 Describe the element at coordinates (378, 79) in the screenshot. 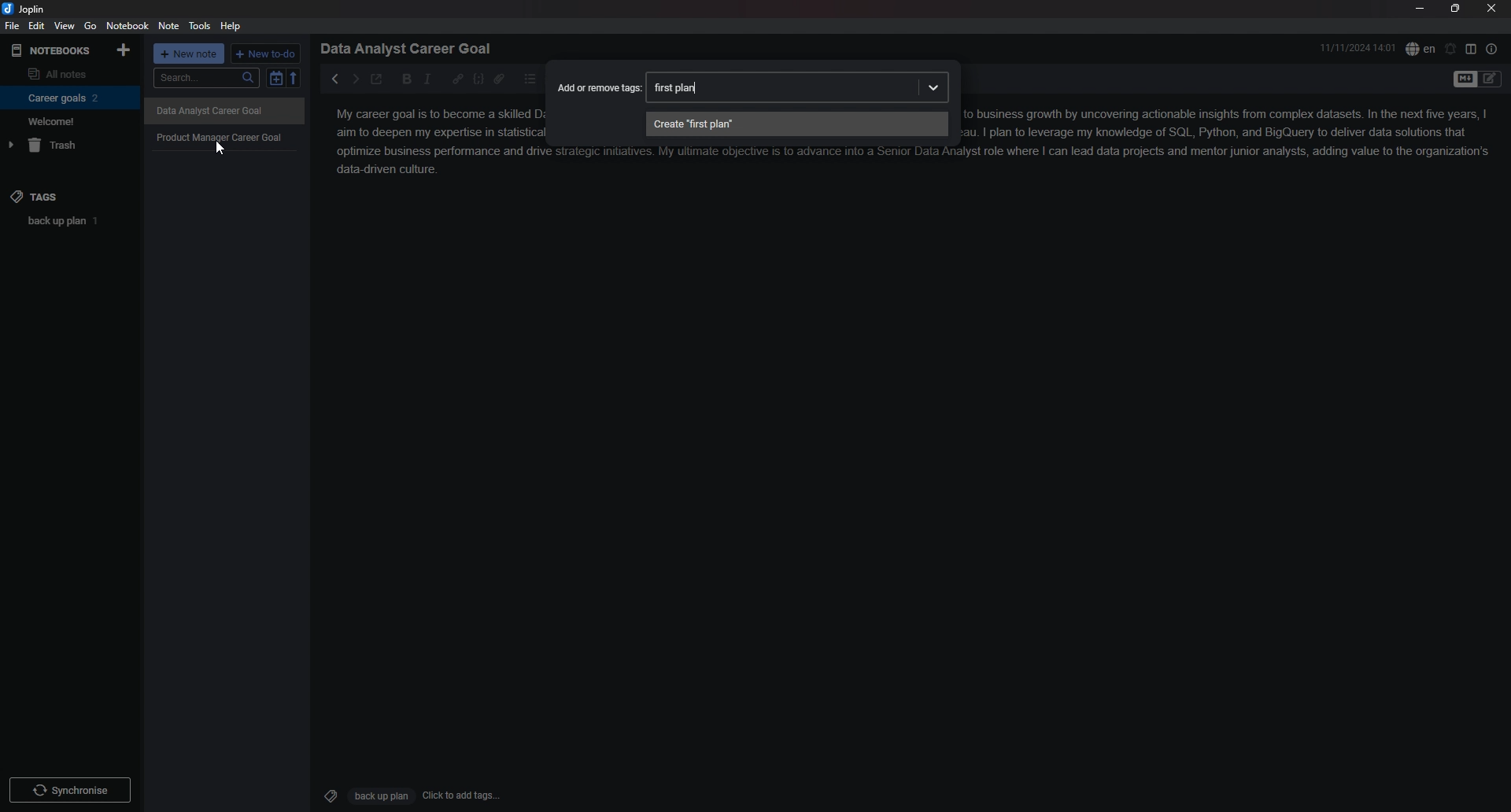

I see `toggle external editor` at that location.